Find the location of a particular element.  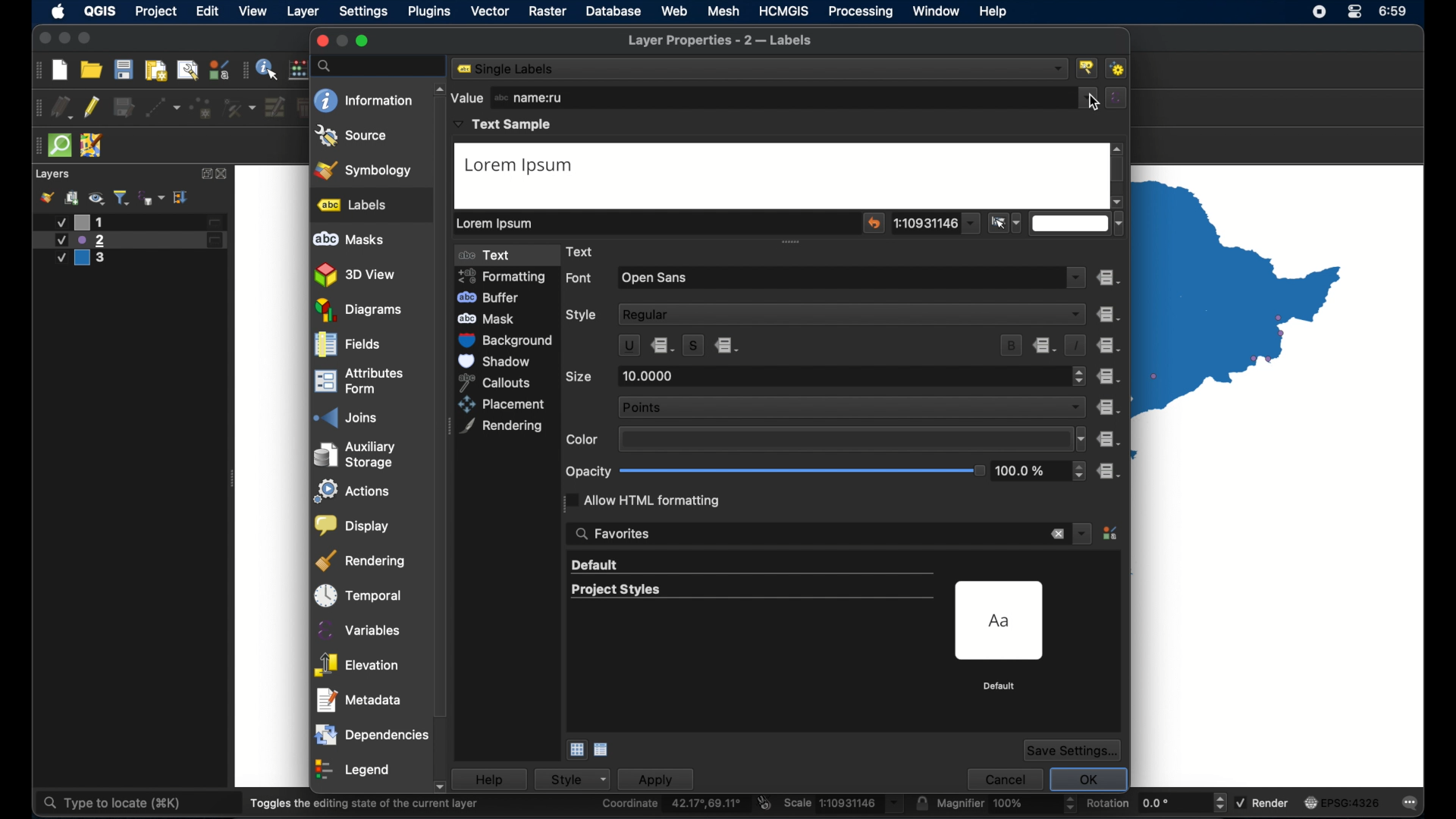

style is located at coordinates (579, 779).